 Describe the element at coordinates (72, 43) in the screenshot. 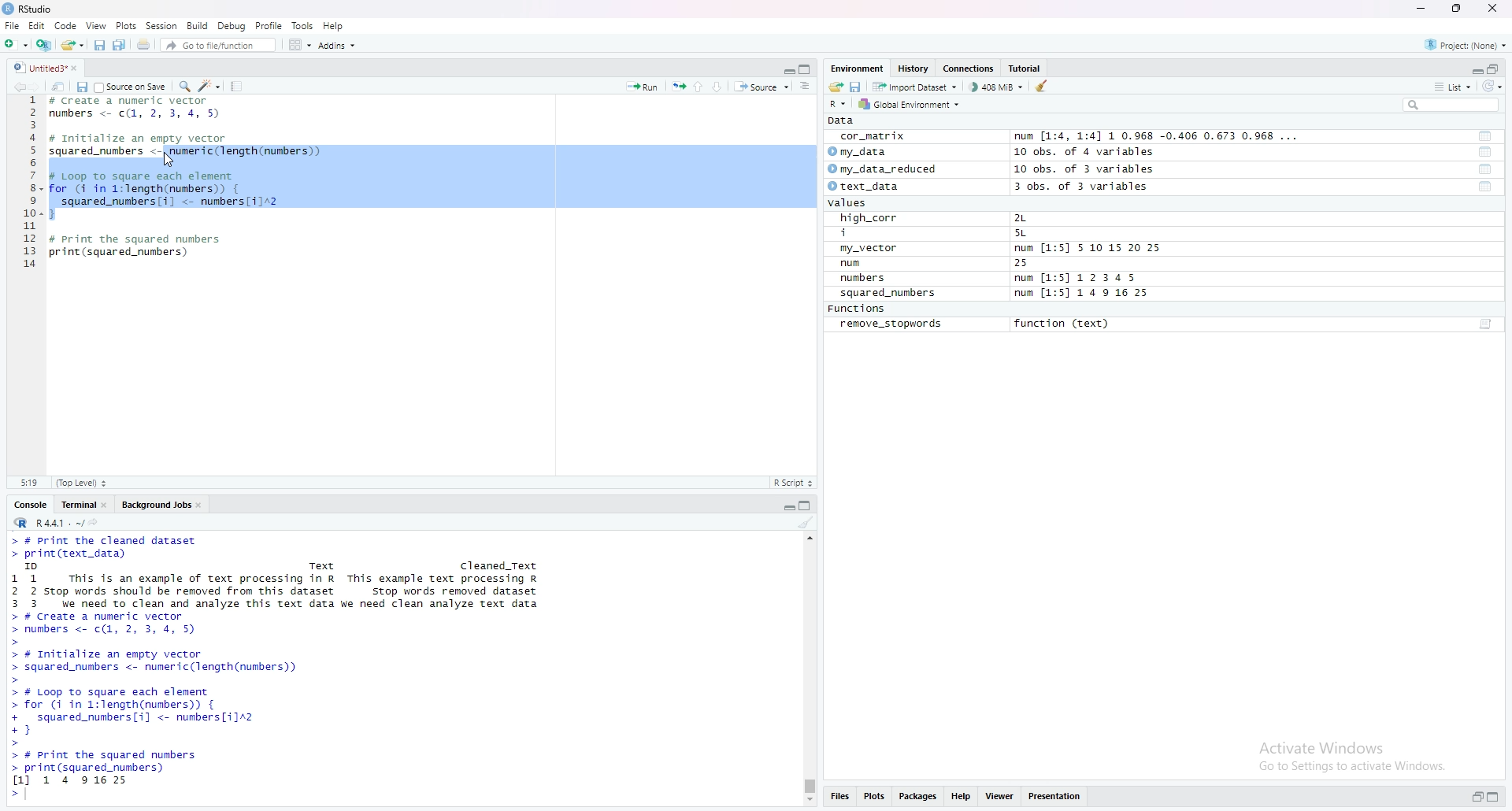

I see `Open an existing file` at that location.